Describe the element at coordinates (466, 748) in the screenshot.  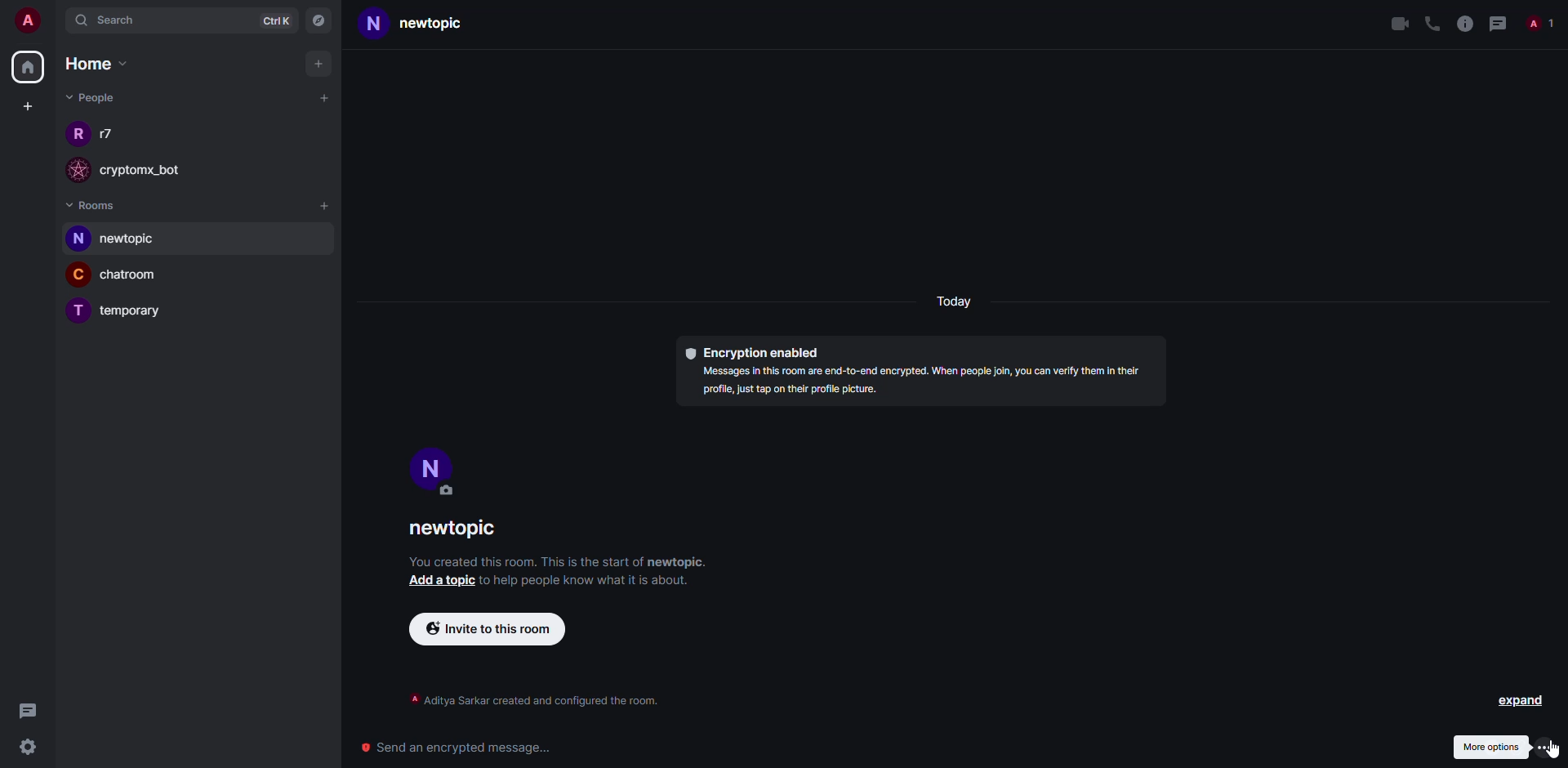
I see `Send an encrypted message...` at that location.